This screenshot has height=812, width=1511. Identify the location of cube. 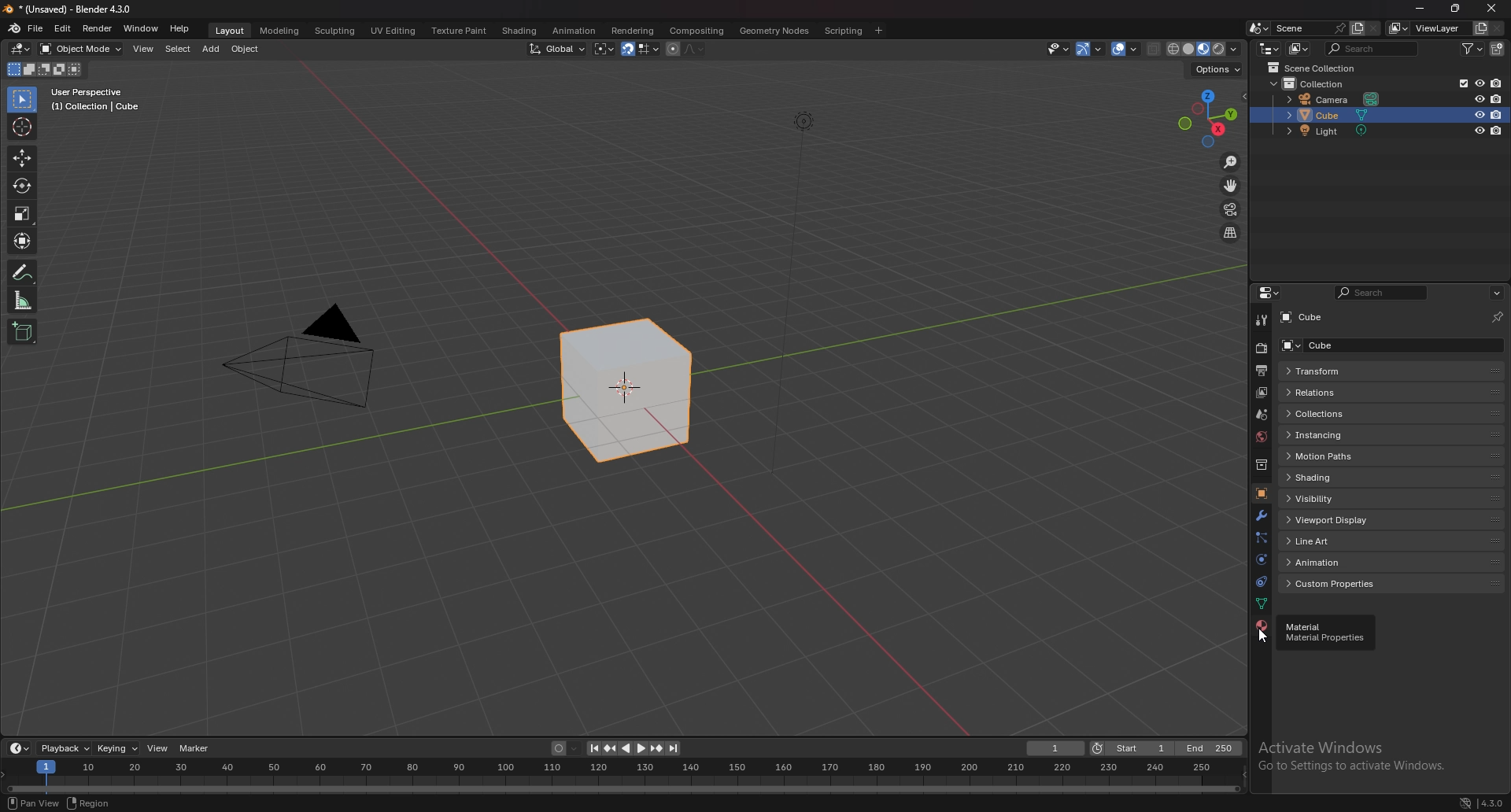
(626, 392).